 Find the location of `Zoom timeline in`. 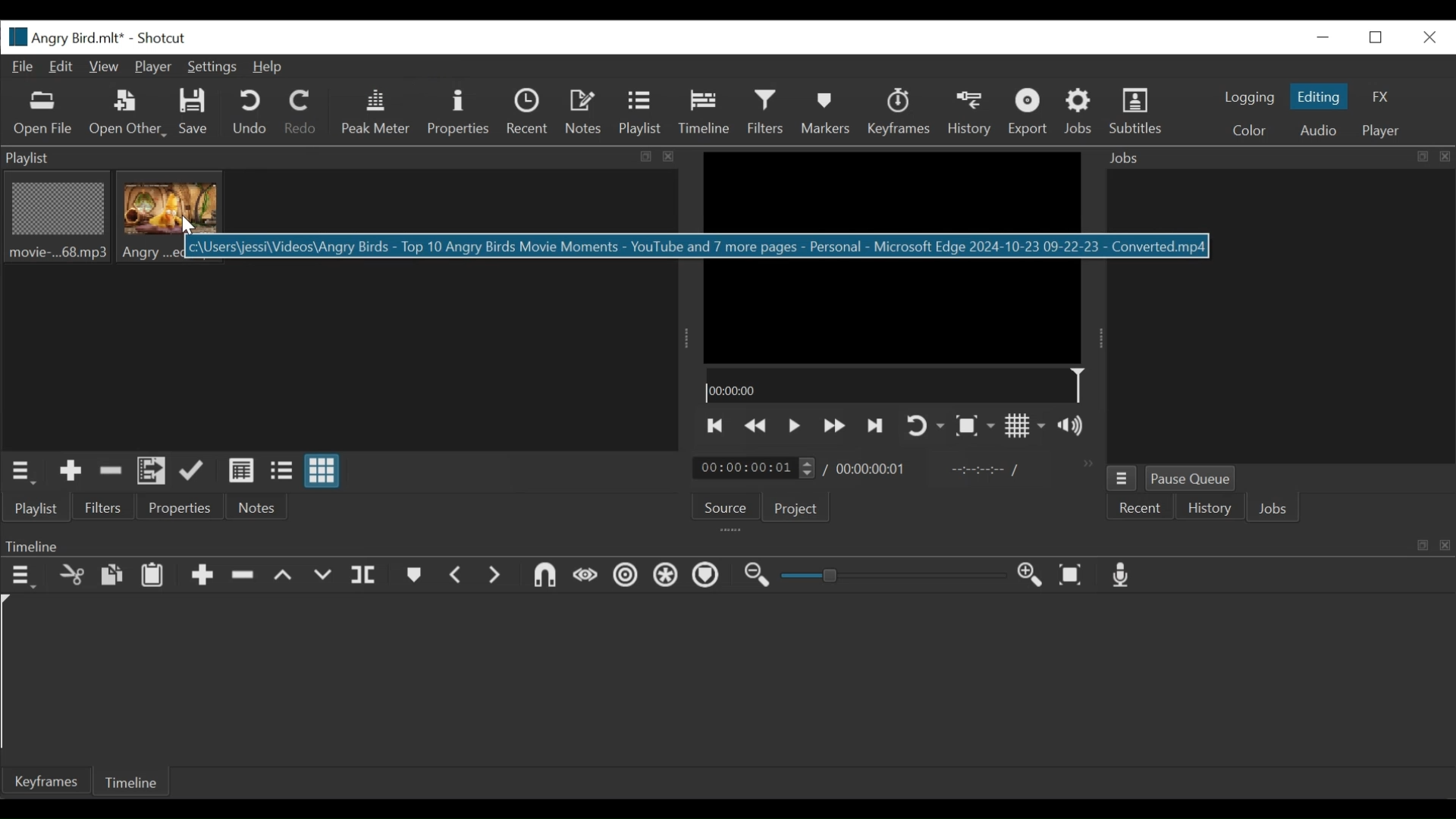

Zoom timeline in is located at coordinates (1032, 576).